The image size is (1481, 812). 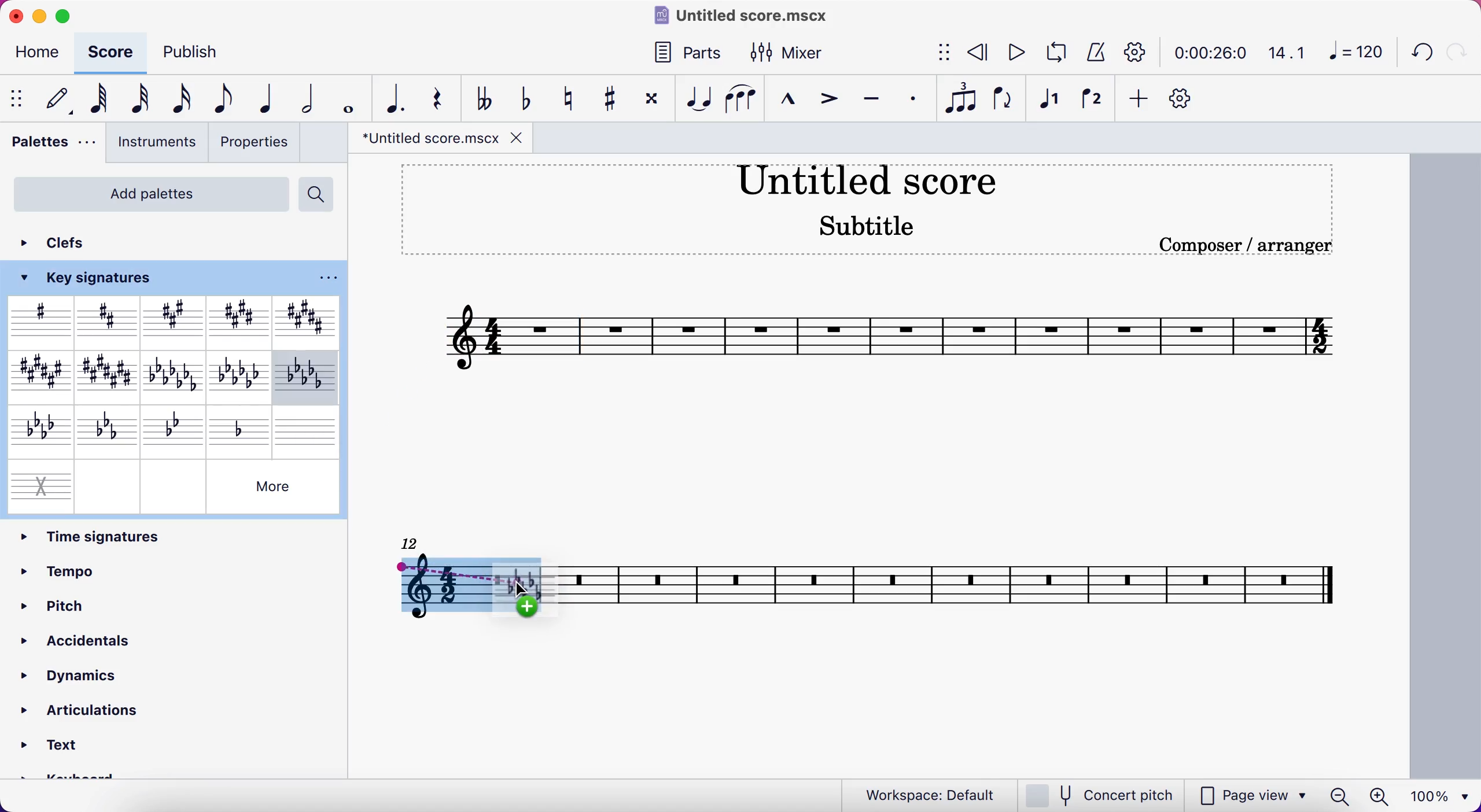 I want to click on options, so click(x=325, y=278).